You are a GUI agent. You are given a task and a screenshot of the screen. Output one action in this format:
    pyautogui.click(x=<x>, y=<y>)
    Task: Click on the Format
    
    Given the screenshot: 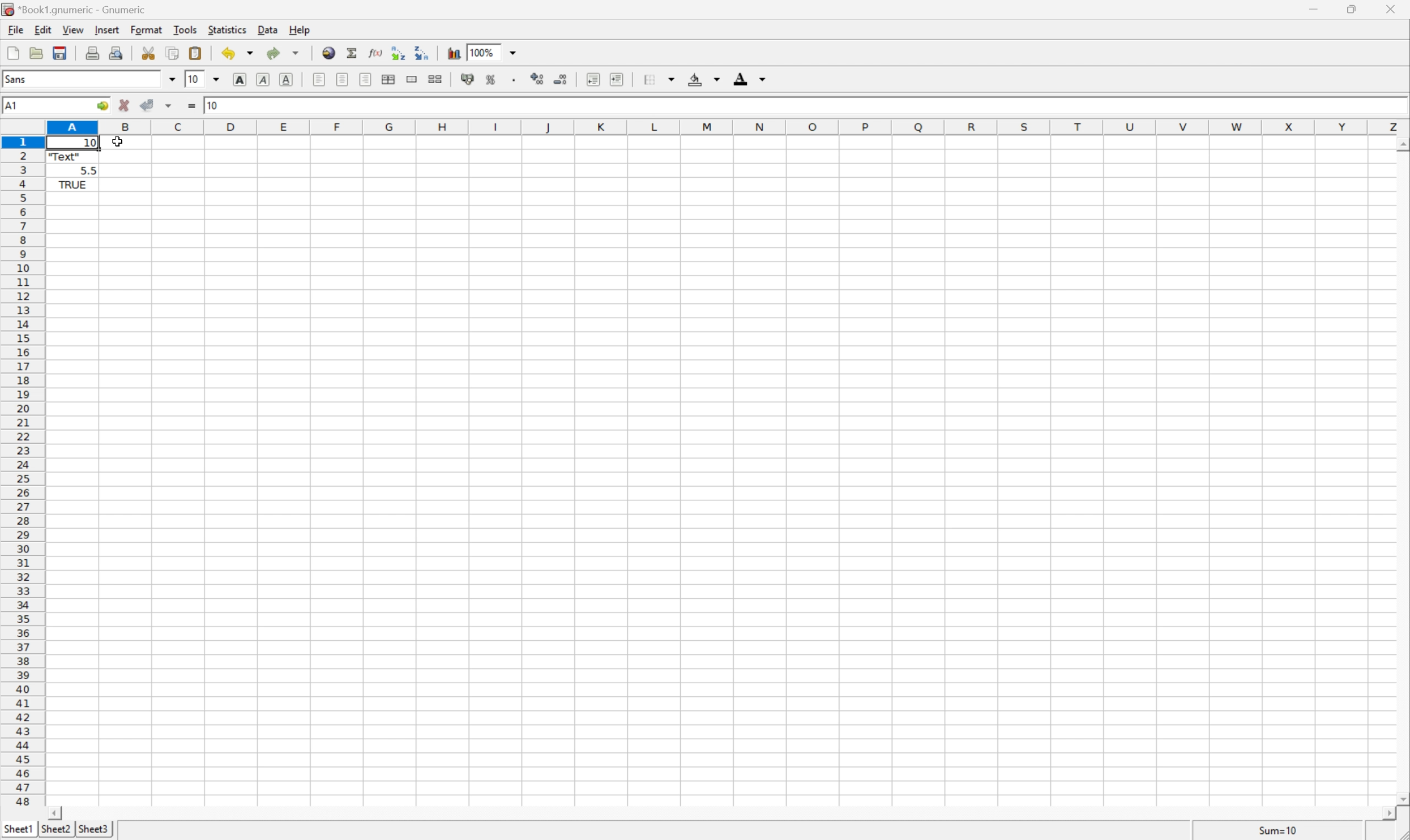 What is the action you would take?
    pyautogui.click(x=147, y=29)
    